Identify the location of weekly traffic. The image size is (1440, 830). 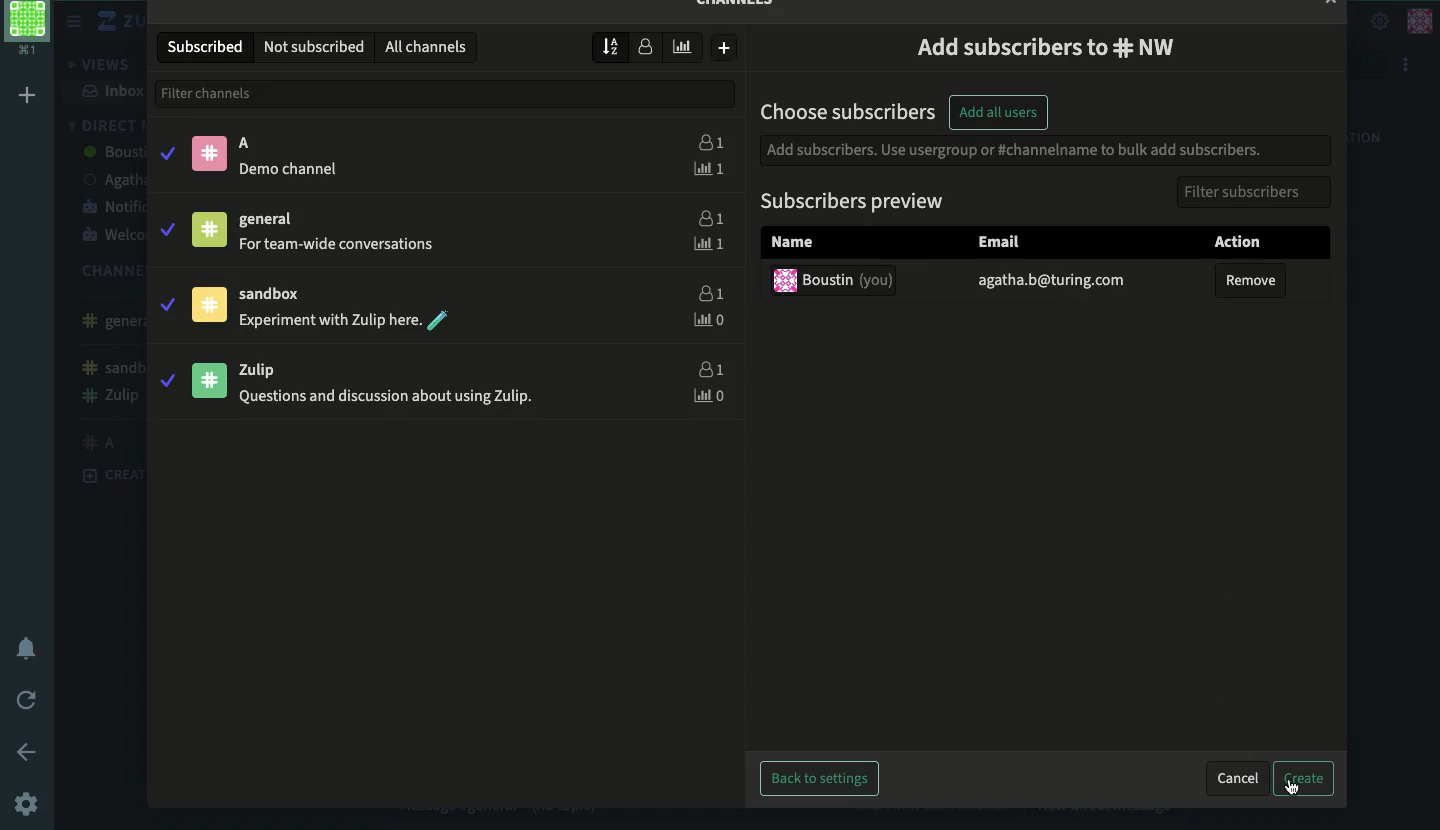
(683, 48).